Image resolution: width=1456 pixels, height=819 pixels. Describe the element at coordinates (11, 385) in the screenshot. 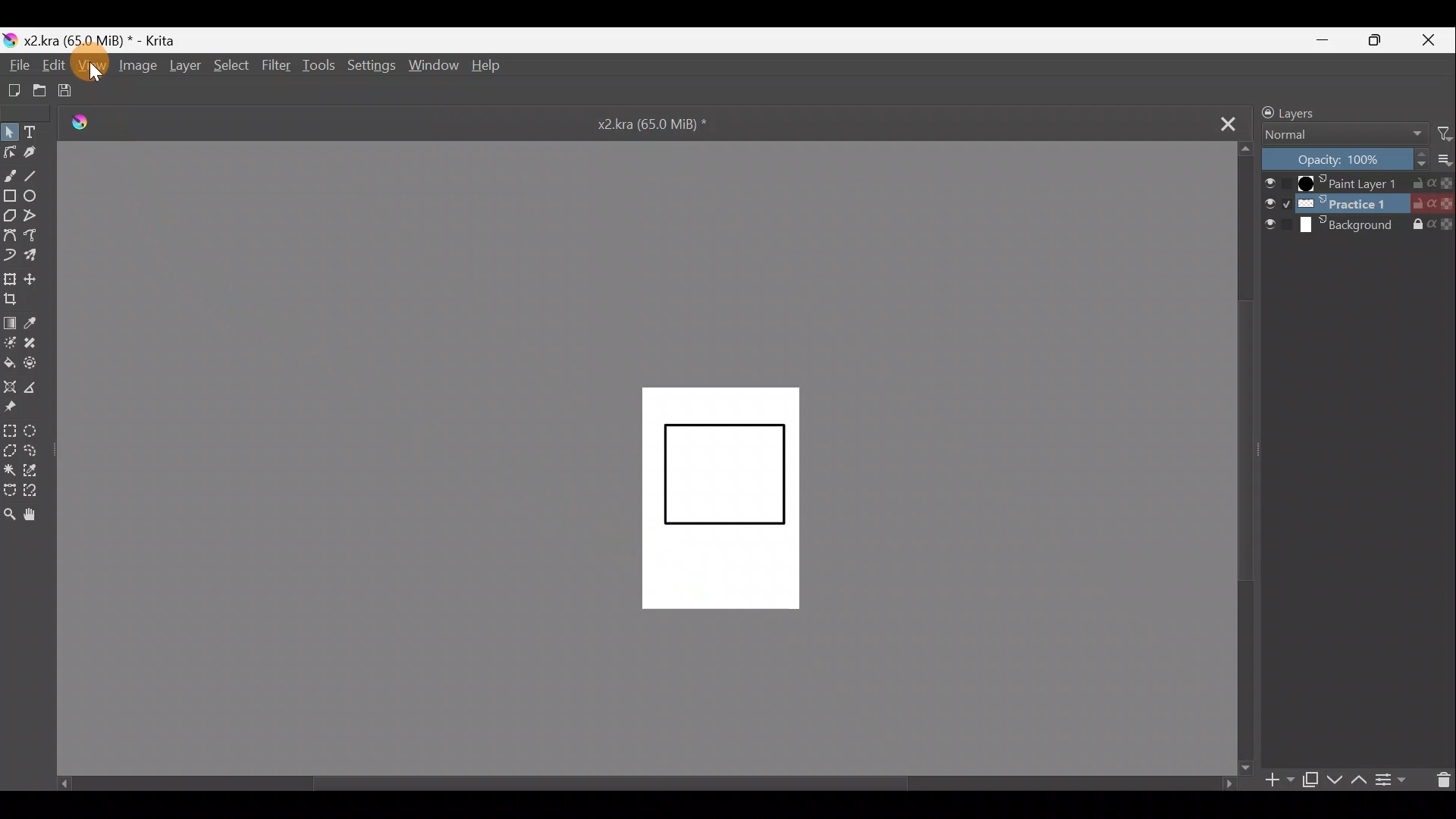

I see `Assistant tool` at that location.